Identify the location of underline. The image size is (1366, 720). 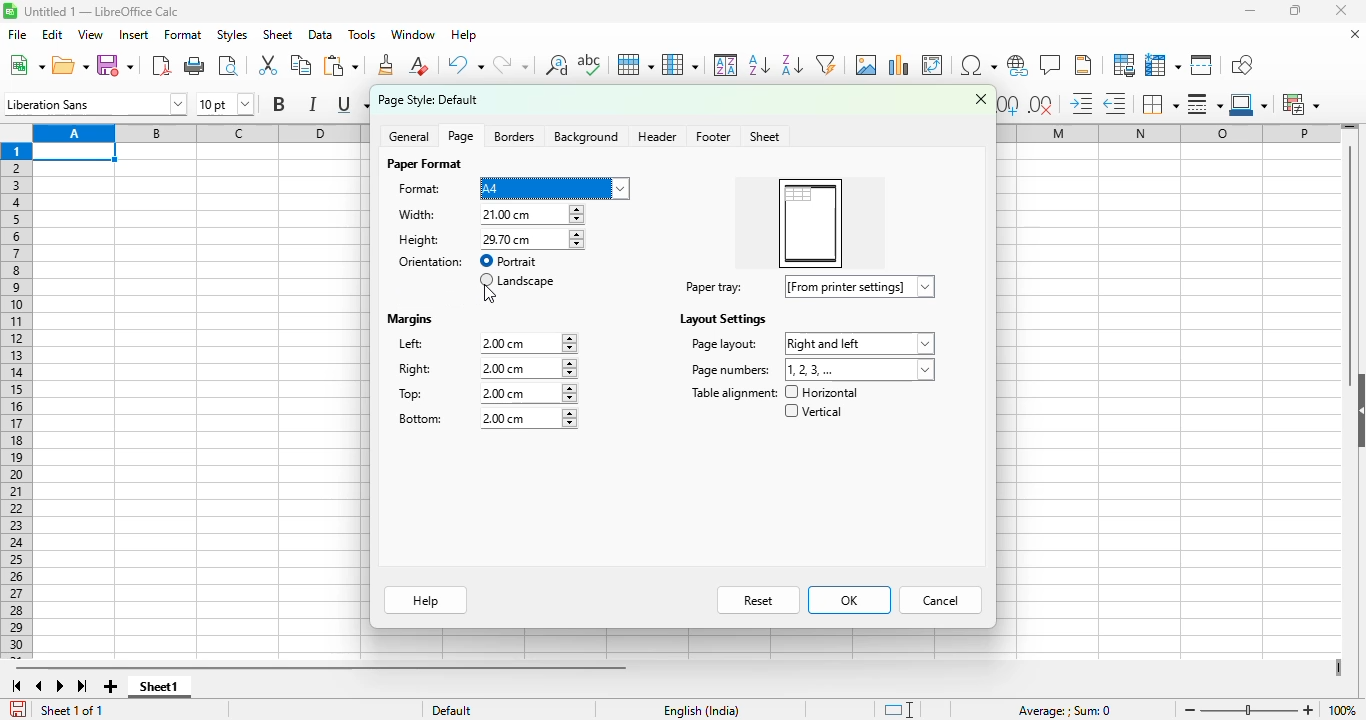
(351, 105).